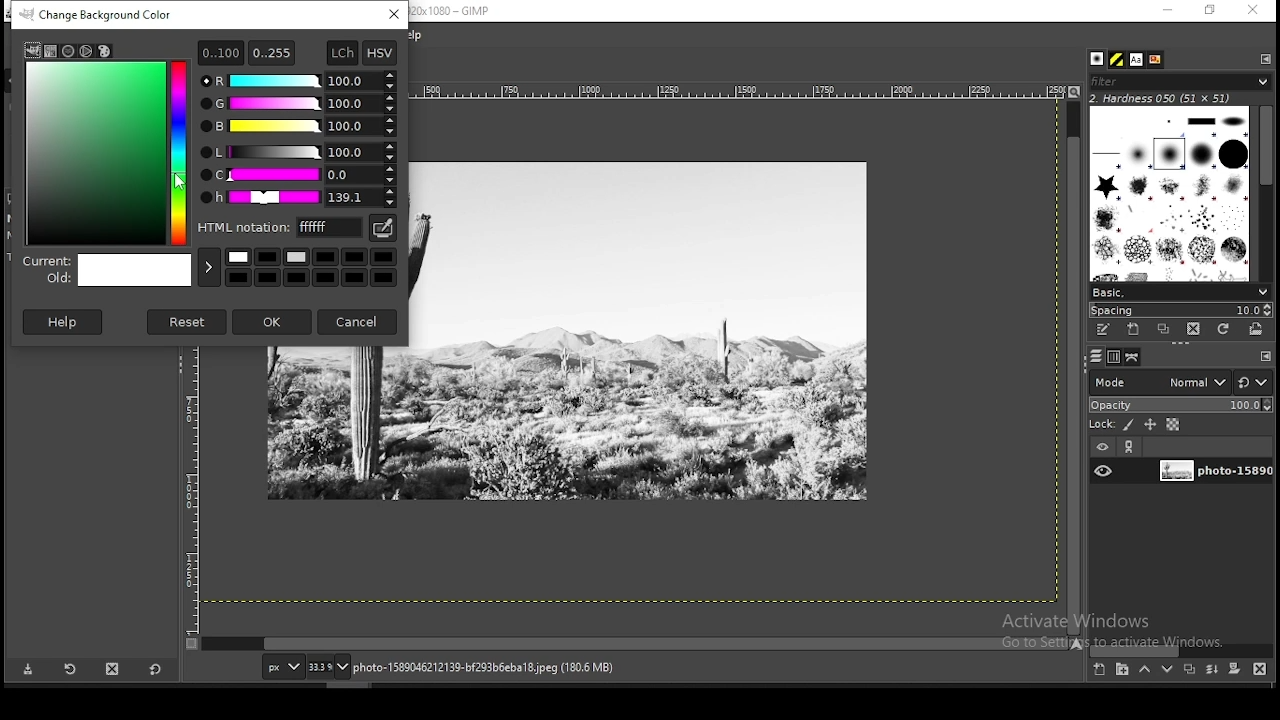 The image size is (1280, 720). What do you see at coordinates (1103, 472) in the screenshot?
I see `layer visibility on/off` at bounding box center [1103, 472].